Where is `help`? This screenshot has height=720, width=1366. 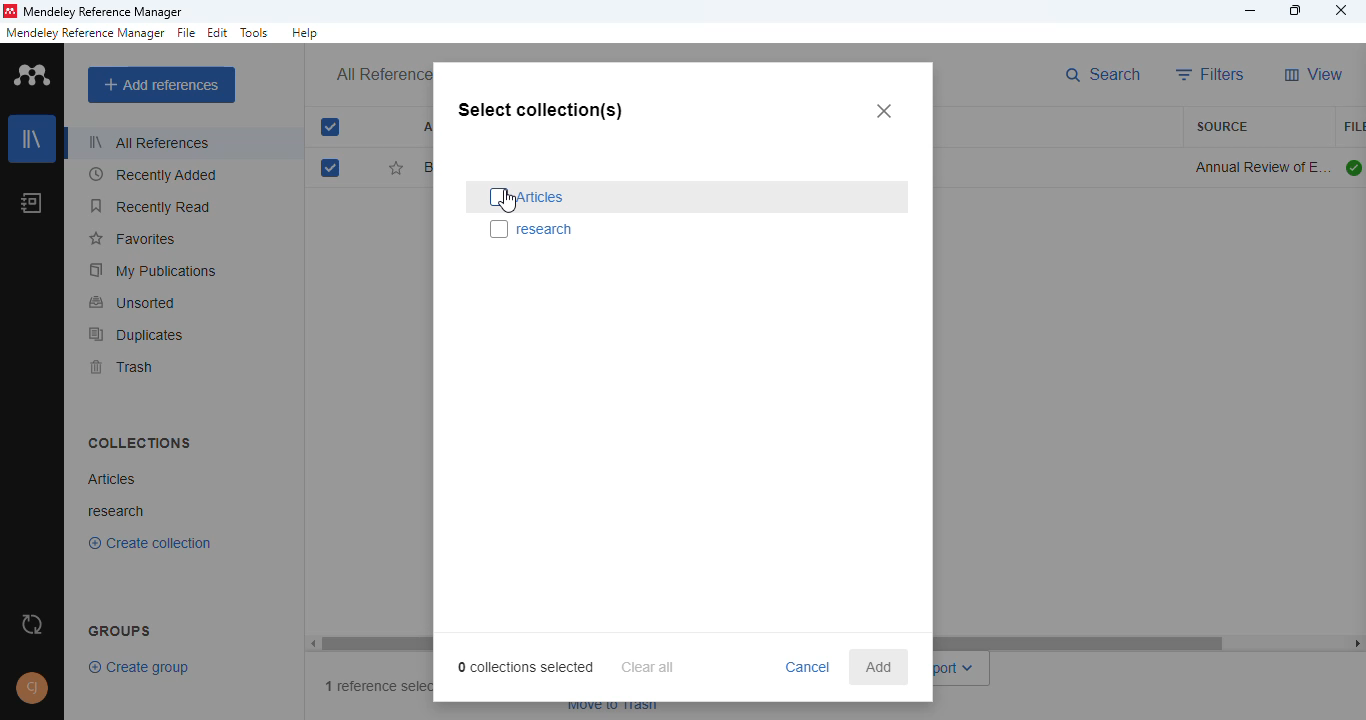 help is located at coordinates (308, 31).